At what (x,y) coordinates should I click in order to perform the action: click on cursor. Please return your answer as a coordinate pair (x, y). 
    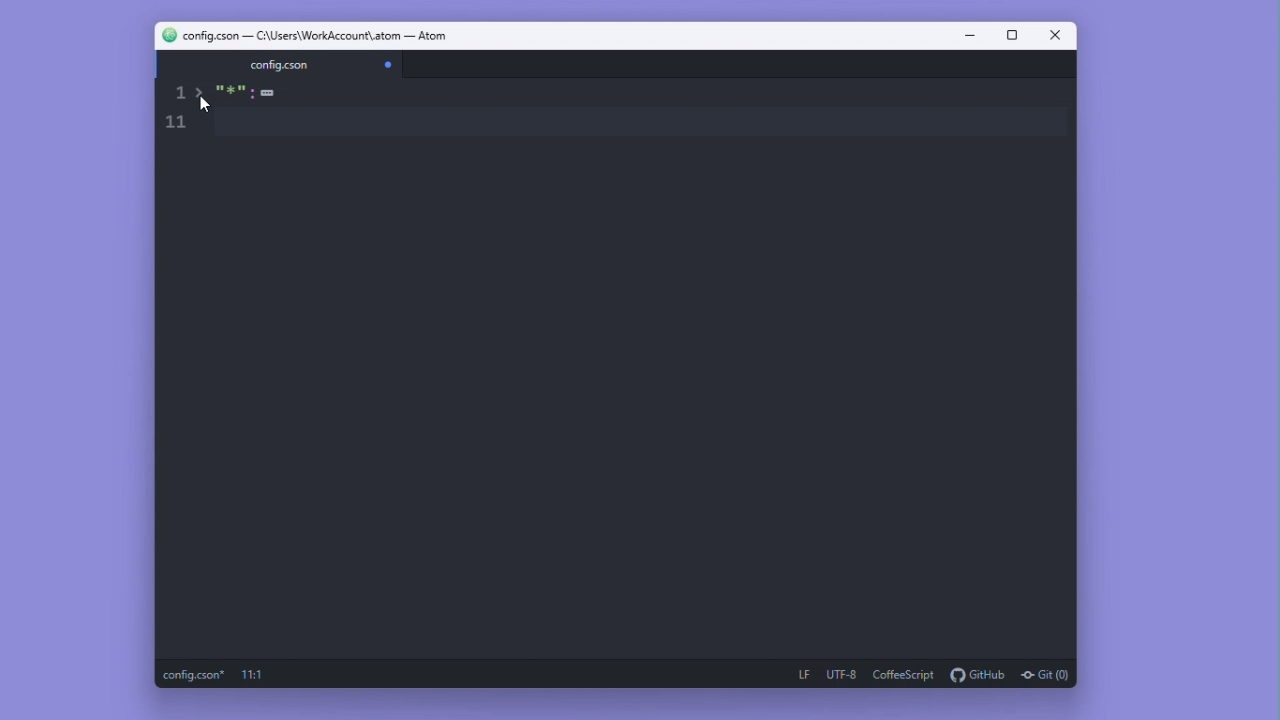
    Looking at the image, I should click on (207, 107).